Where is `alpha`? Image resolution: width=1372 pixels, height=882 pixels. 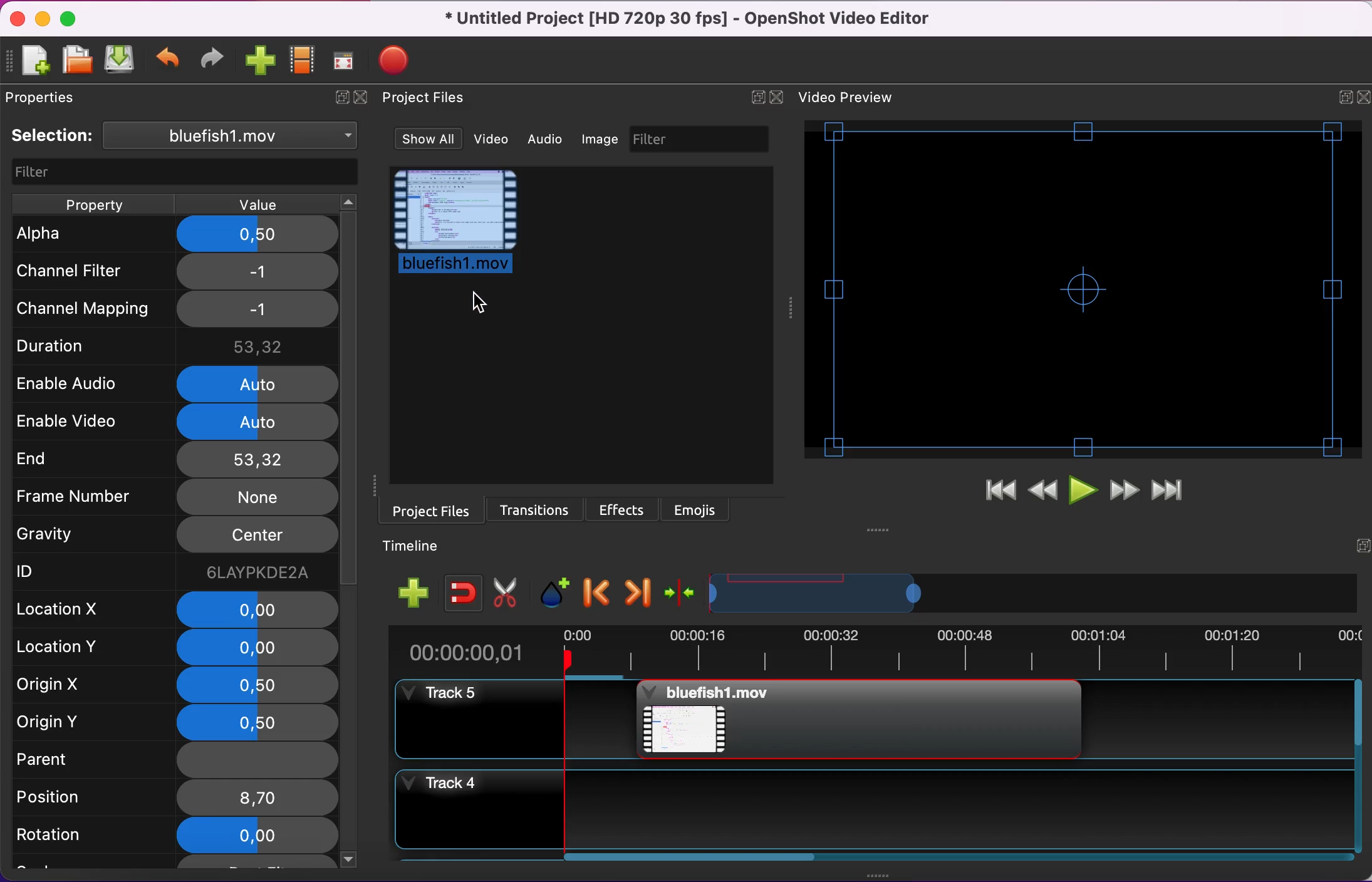 alpha is located at coordinates (91, 234).